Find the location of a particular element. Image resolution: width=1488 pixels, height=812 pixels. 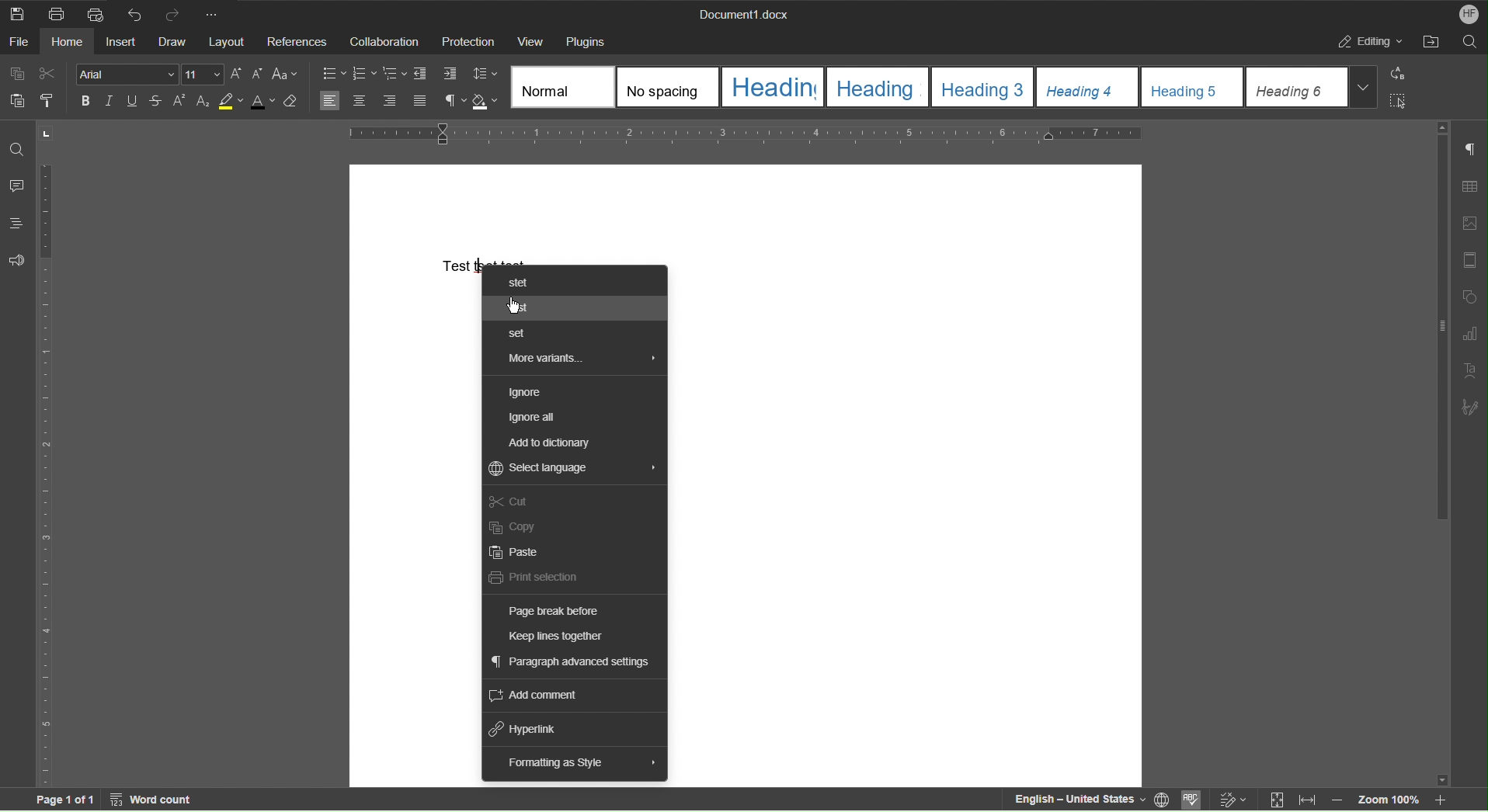

Cursor is located at coordinates (516, 308).